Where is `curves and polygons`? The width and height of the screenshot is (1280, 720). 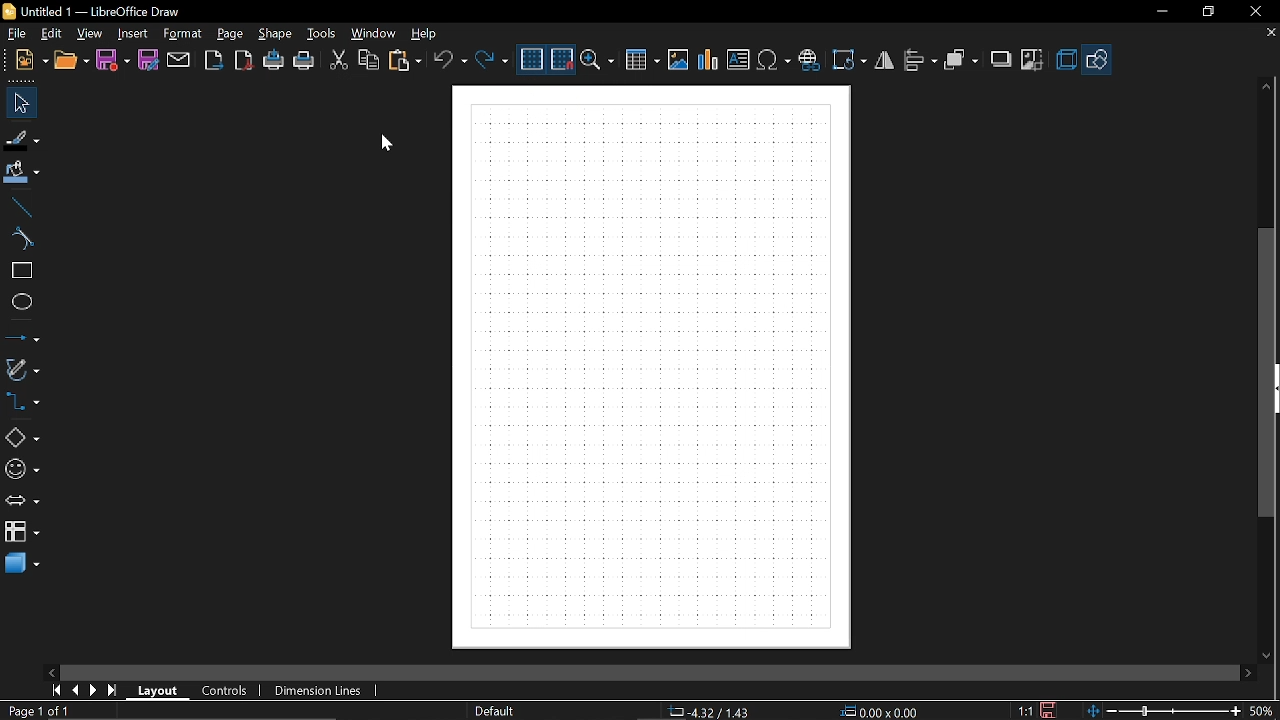
curves and polygons is located at coordinates (22, 370).